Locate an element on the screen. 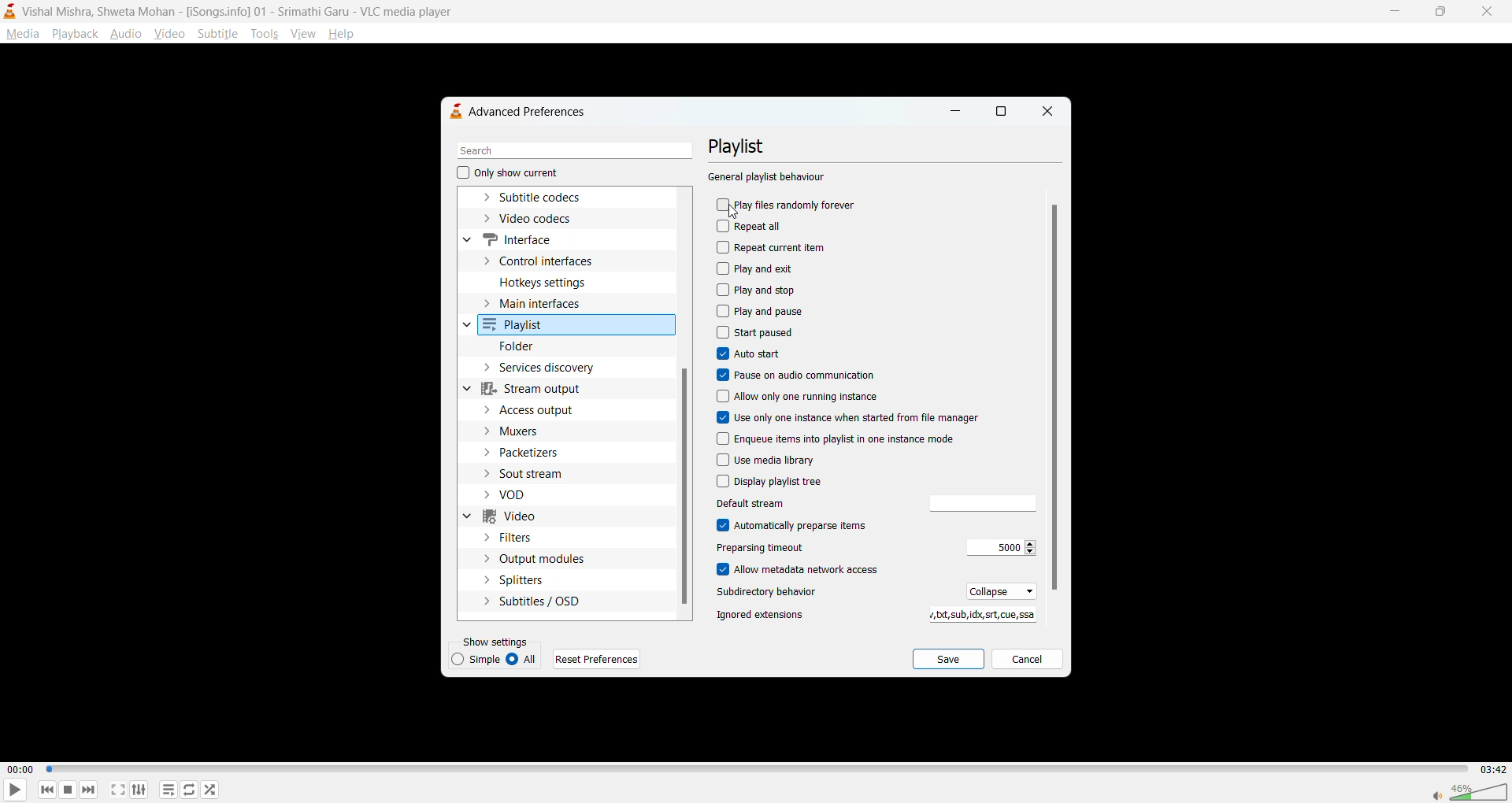 Image resolution: width=1512 pixels, height=803 pixels. general playlist behaviour is located at coordinates (768, 178).